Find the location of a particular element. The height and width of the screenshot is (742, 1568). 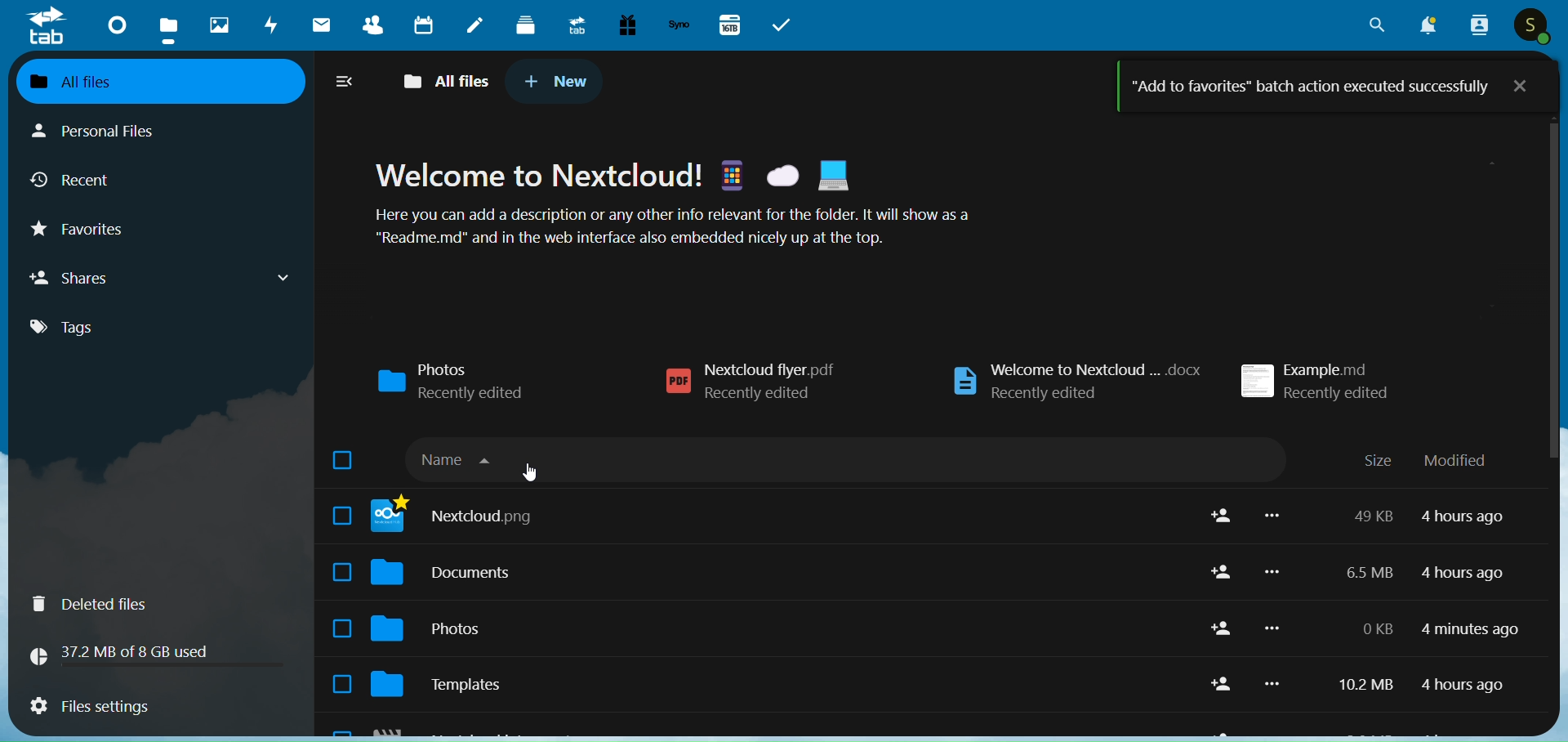

files setting is located at coordinates (155, 706).